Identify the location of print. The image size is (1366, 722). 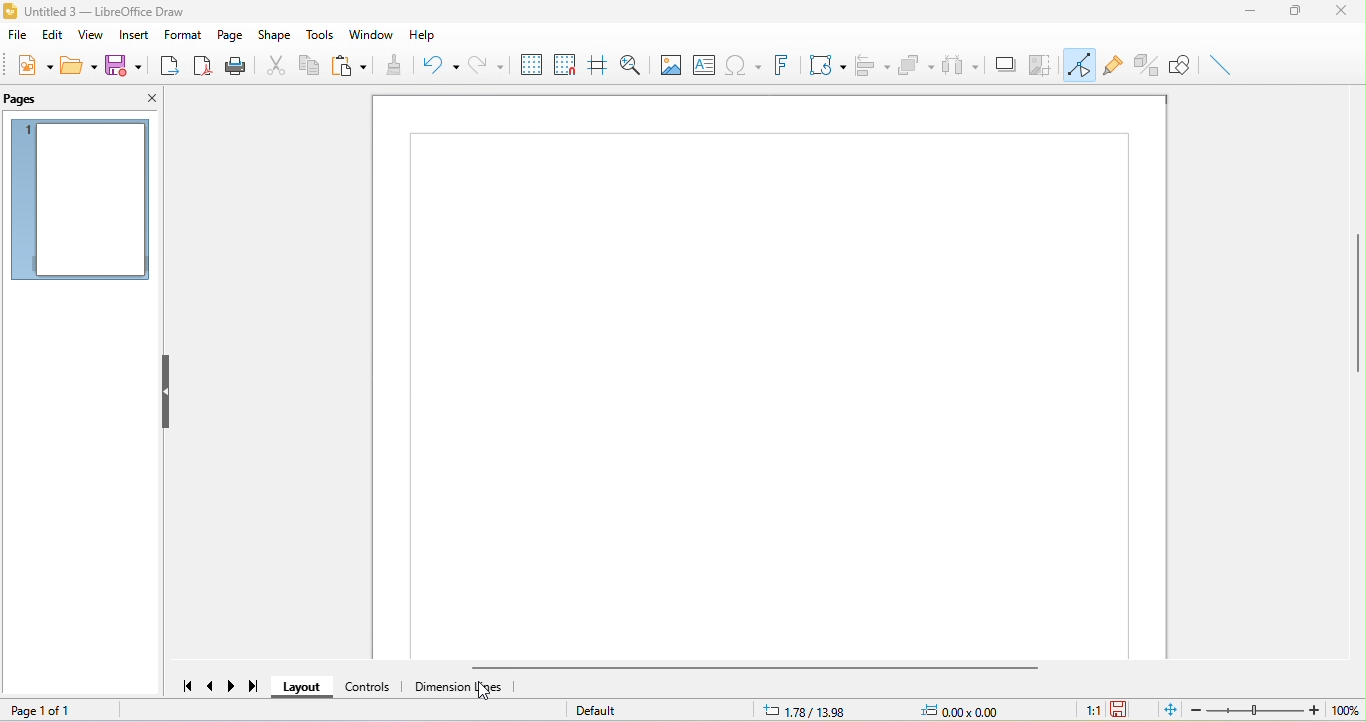
(240, 66).